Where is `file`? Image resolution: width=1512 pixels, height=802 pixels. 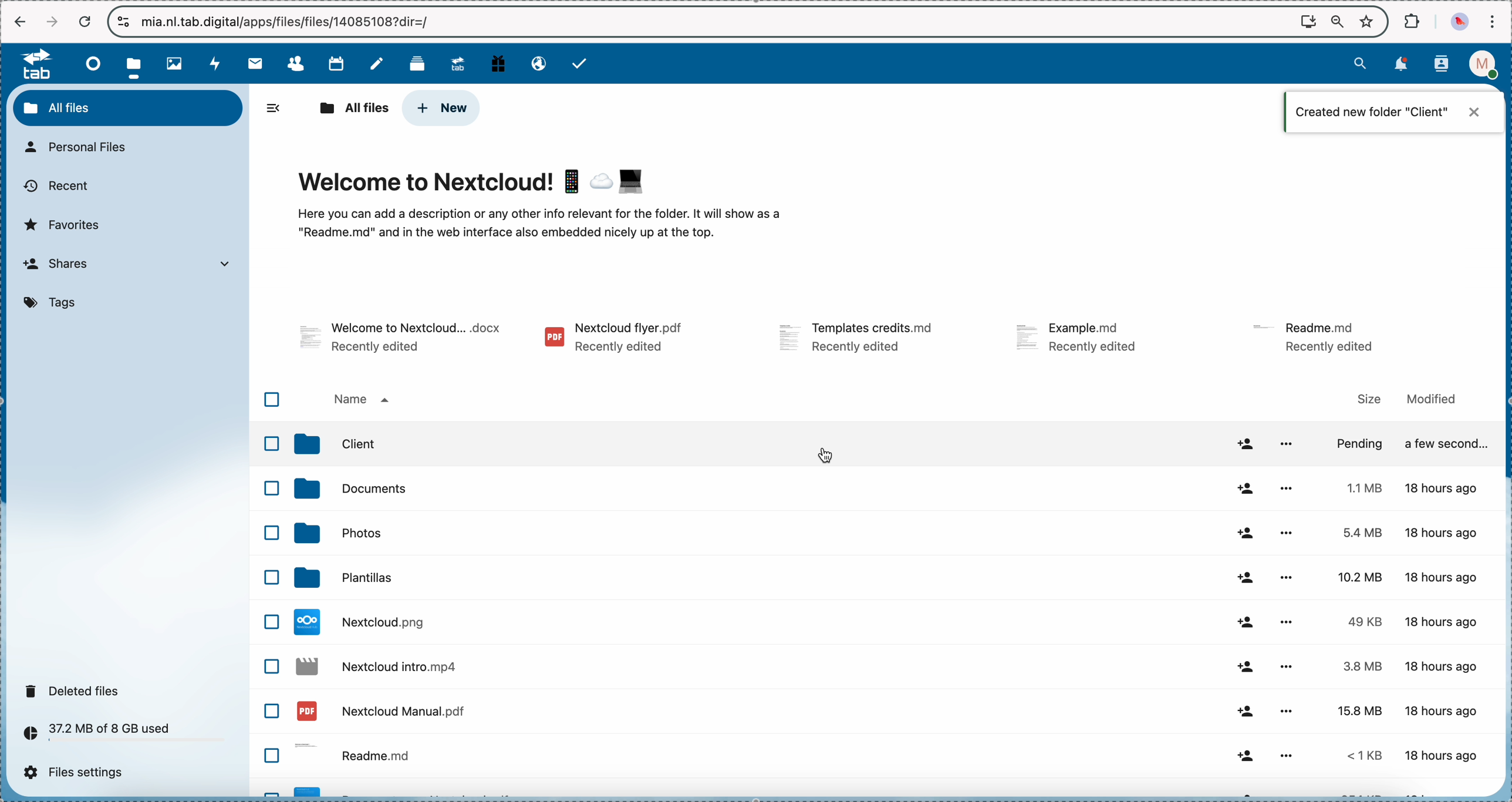 file is located at coordinates (402, 339).